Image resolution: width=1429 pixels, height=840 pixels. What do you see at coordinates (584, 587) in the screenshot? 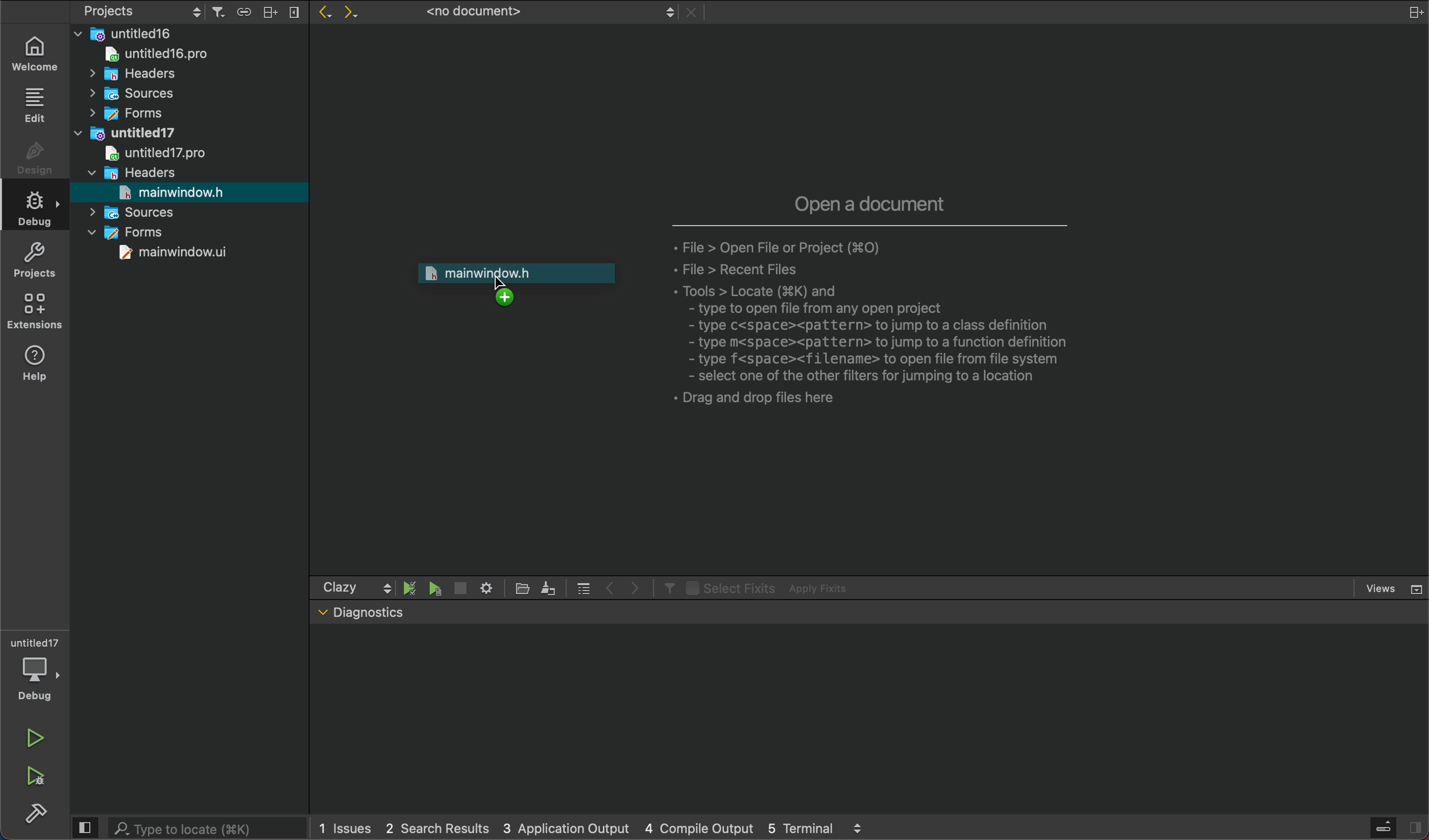
I see `menu` at bounding box center [584, 587].